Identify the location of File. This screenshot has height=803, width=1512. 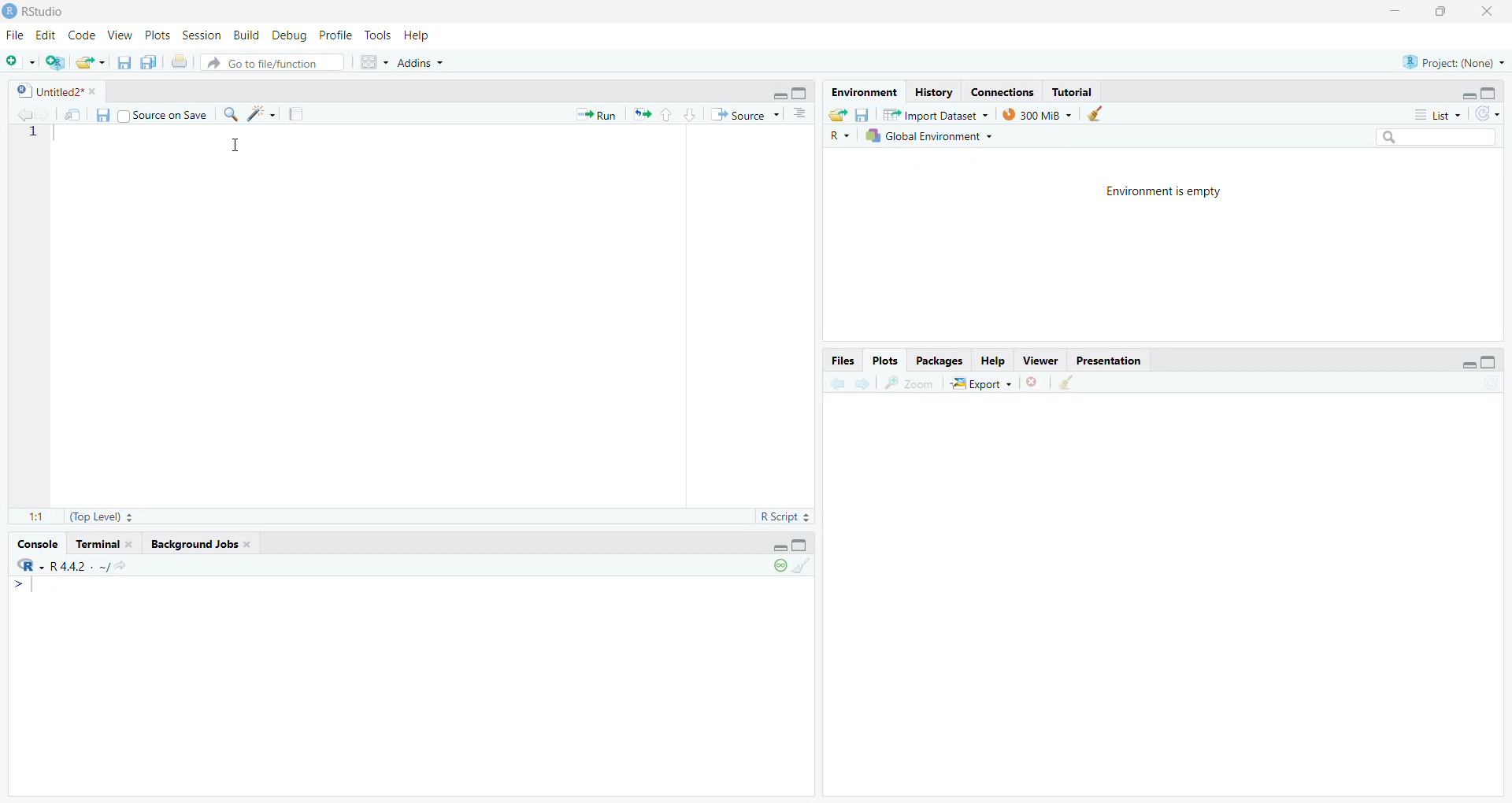
(15, 37).